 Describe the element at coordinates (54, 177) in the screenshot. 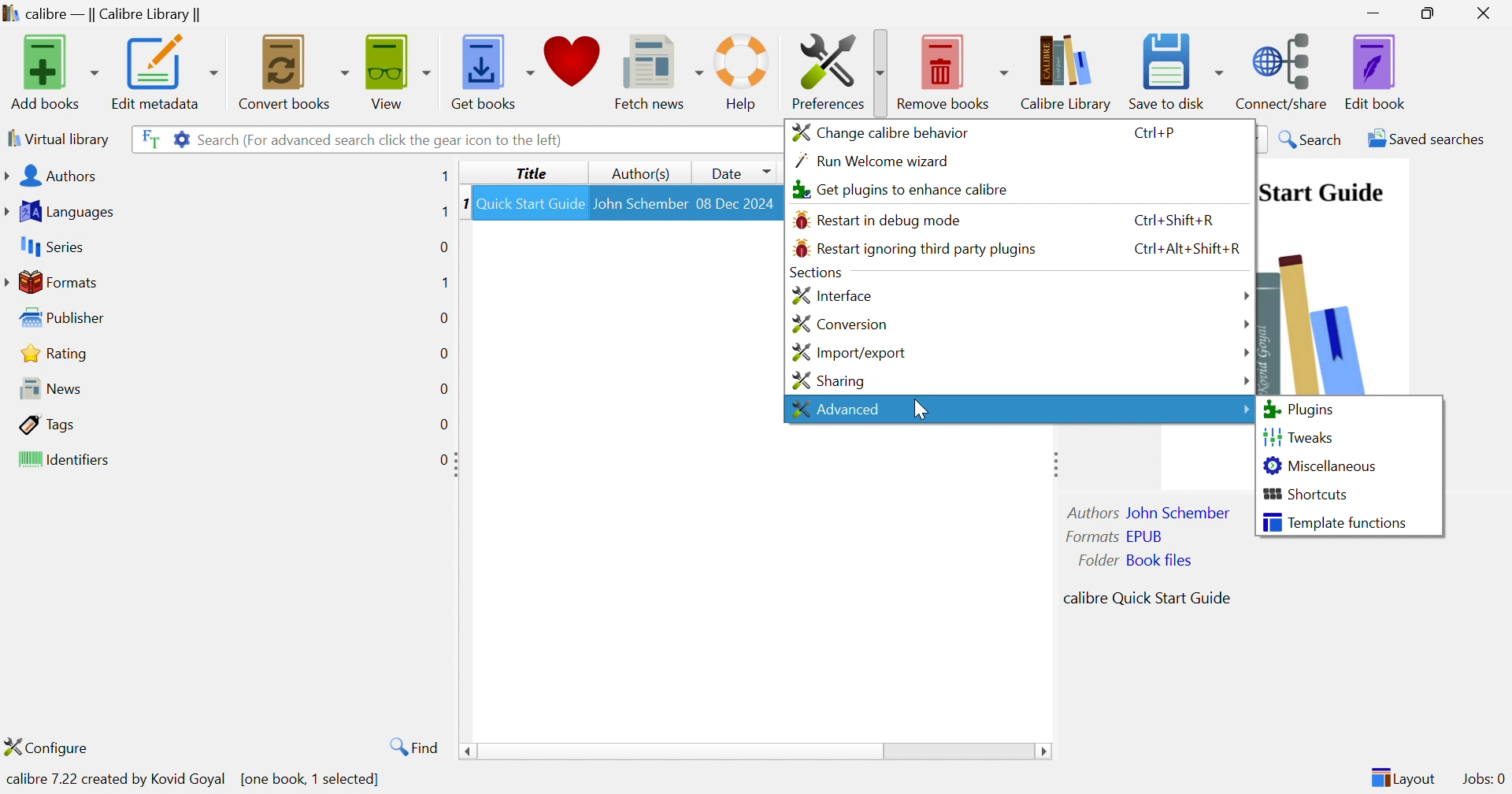

I see `Authors` at that location.